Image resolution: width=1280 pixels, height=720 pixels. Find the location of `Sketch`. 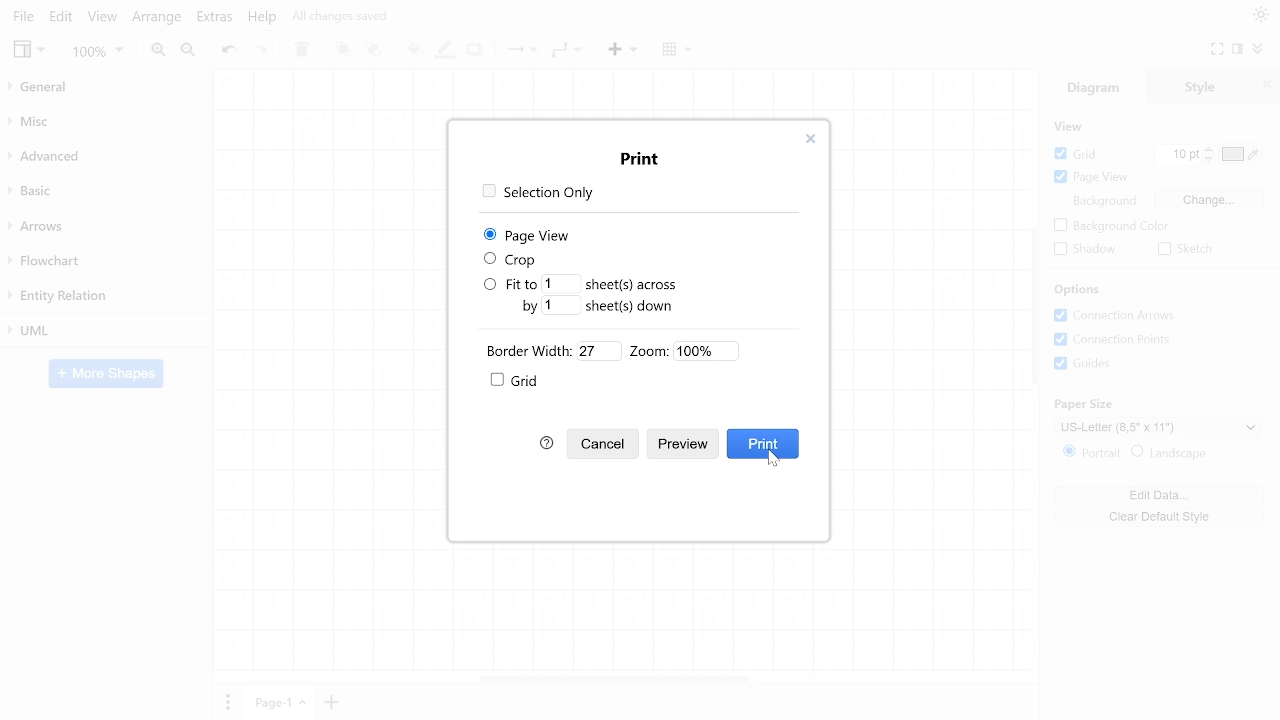

Sketch is located at coordinates (1189, 251).